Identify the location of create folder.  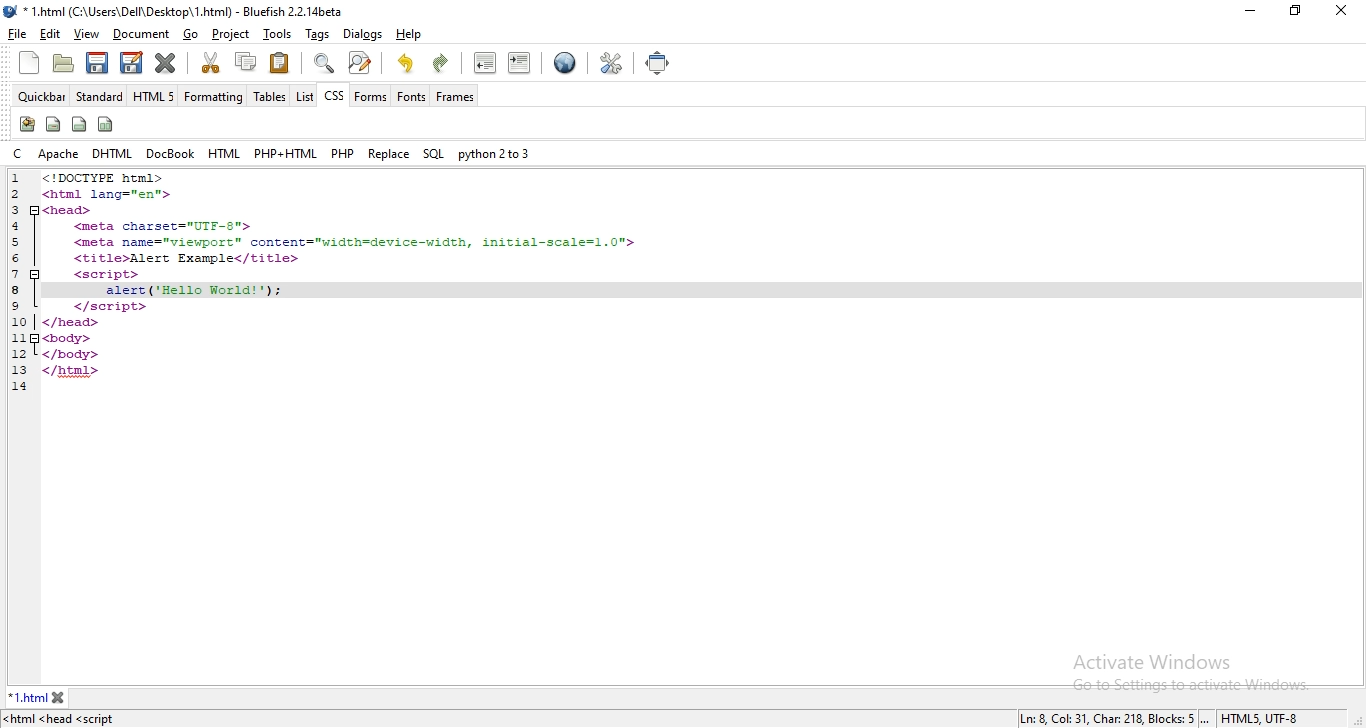
(65, 64).